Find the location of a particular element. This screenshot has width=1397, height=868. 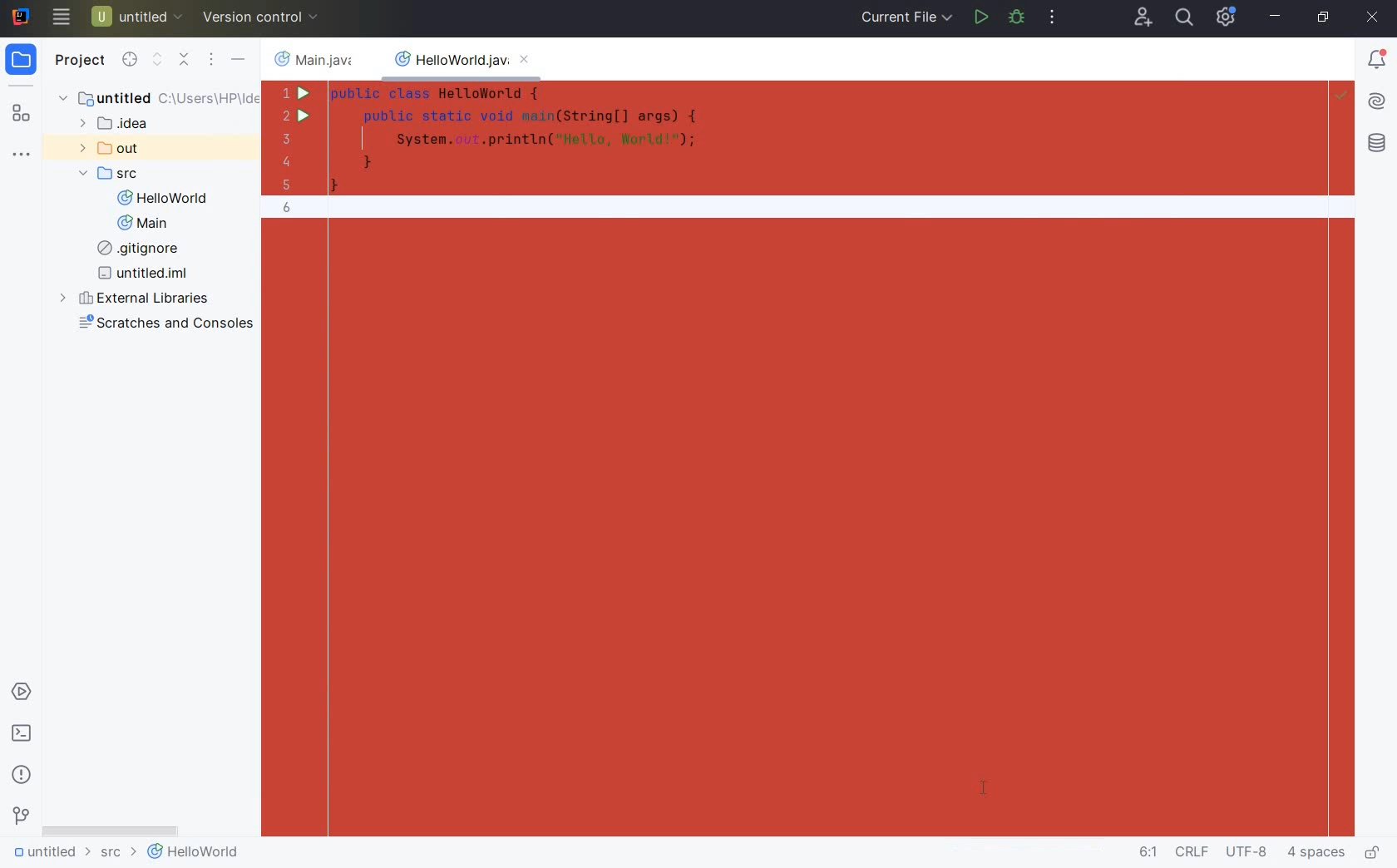

current file is located at coordinates (908, 18).